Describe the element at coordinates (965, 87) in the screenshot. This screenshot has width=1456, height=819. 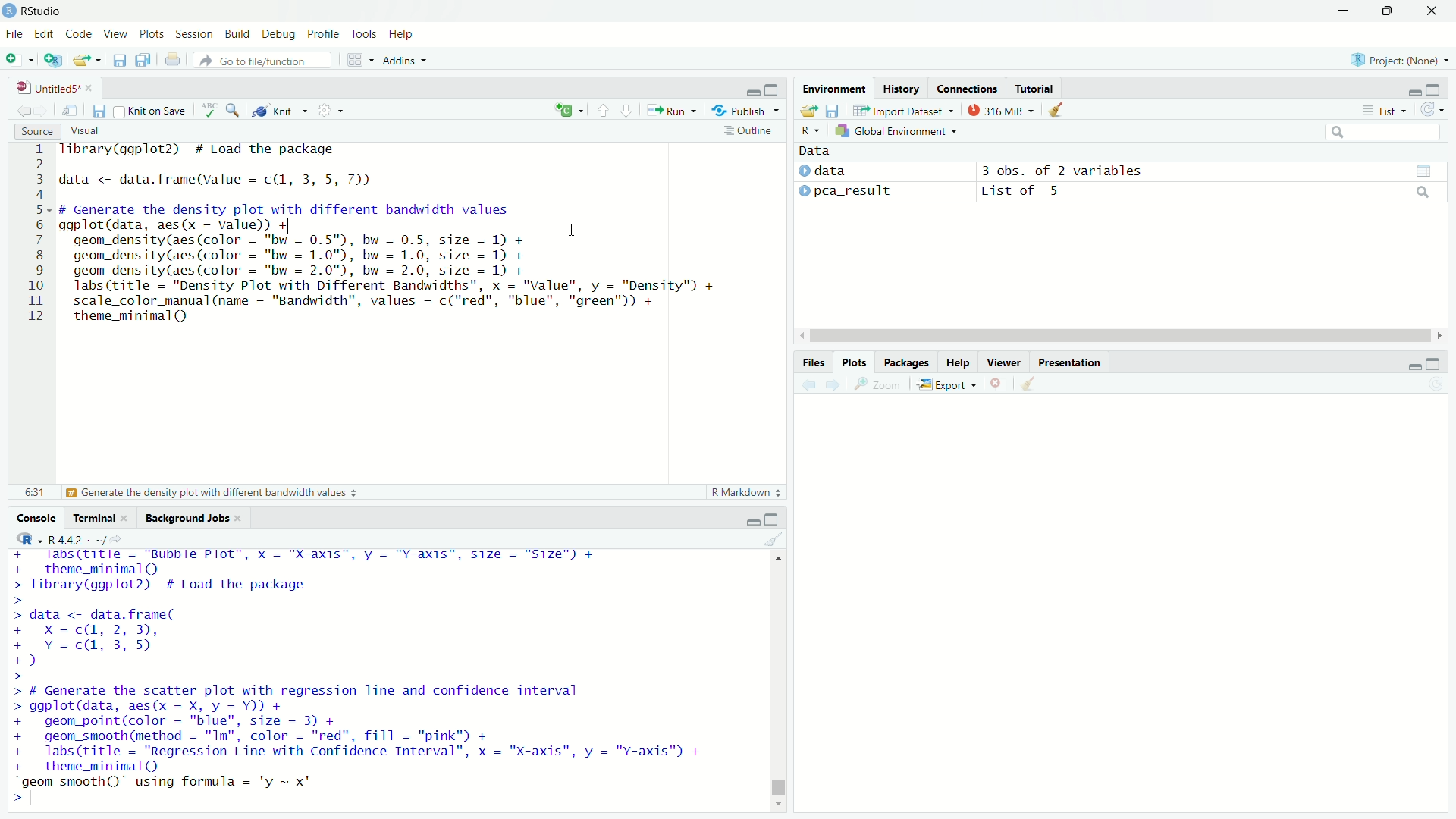
I see `Connections` at that location.